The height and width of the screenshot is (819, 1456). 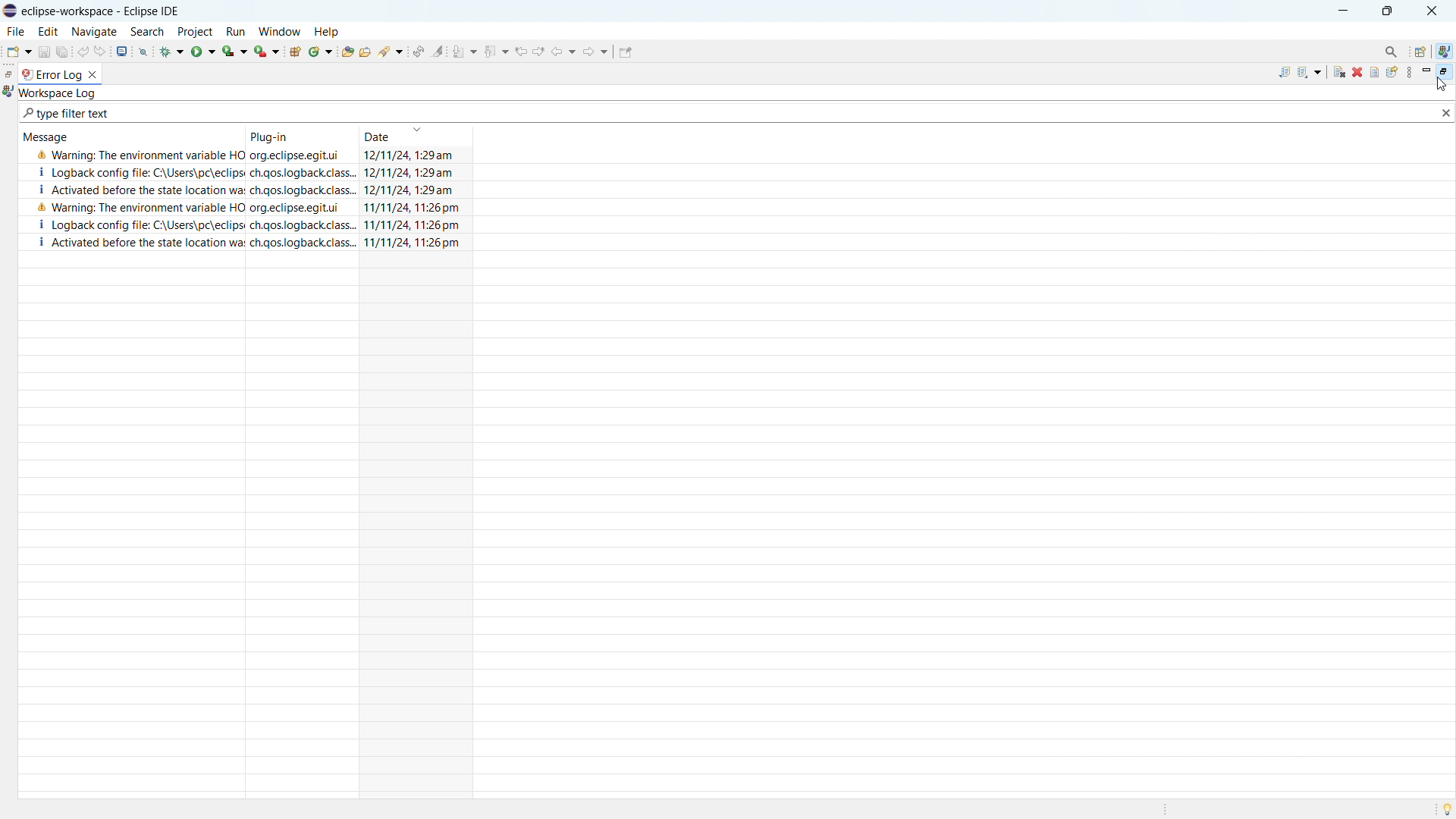 What do you see at coordinates (108, 11) in the screenshot?
I see `eclipse-workspace - Eclipse IDE` at bounding box center [108, 11].